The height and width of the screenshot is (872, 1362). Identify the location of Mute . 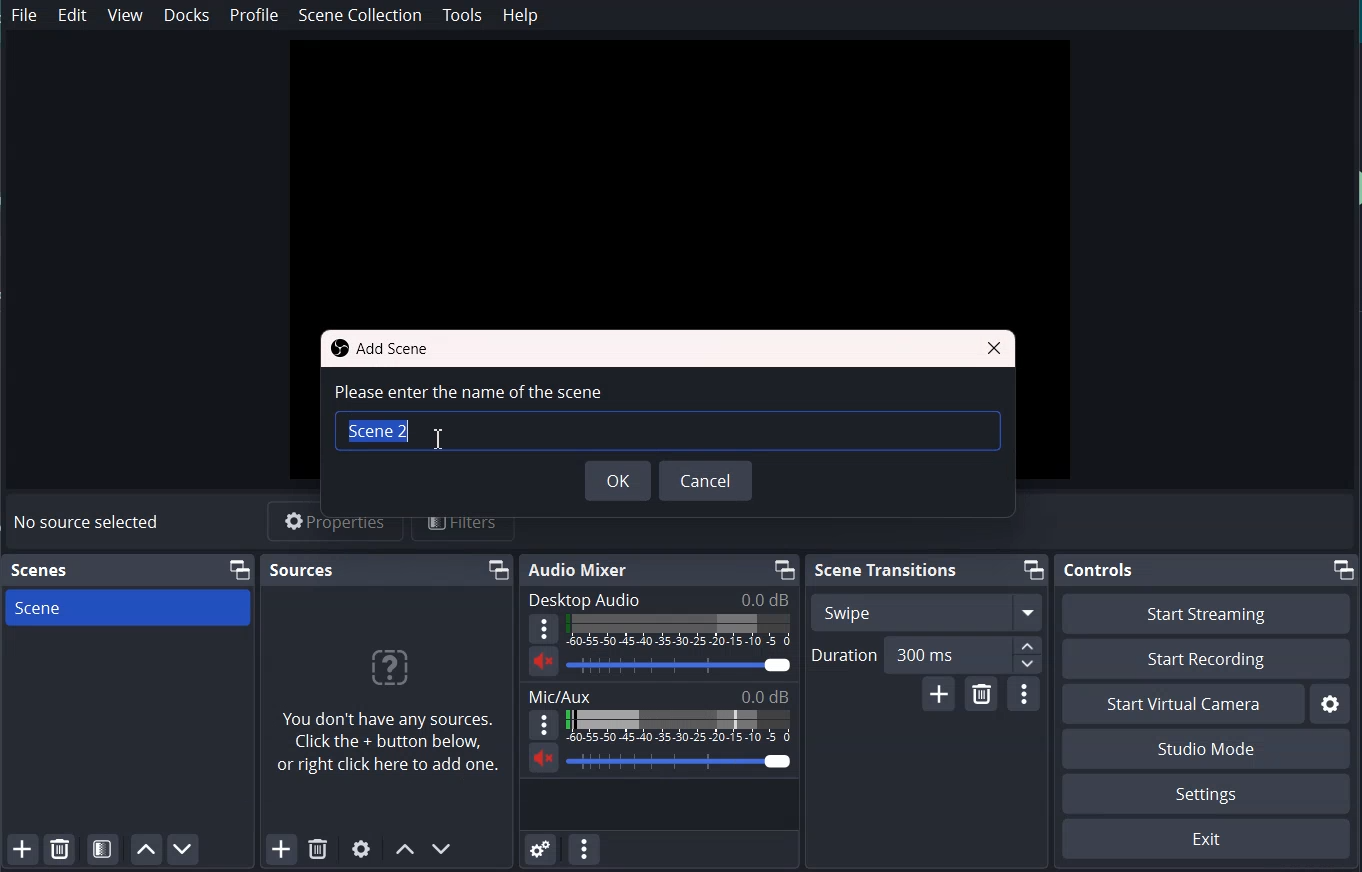
(544, 661).